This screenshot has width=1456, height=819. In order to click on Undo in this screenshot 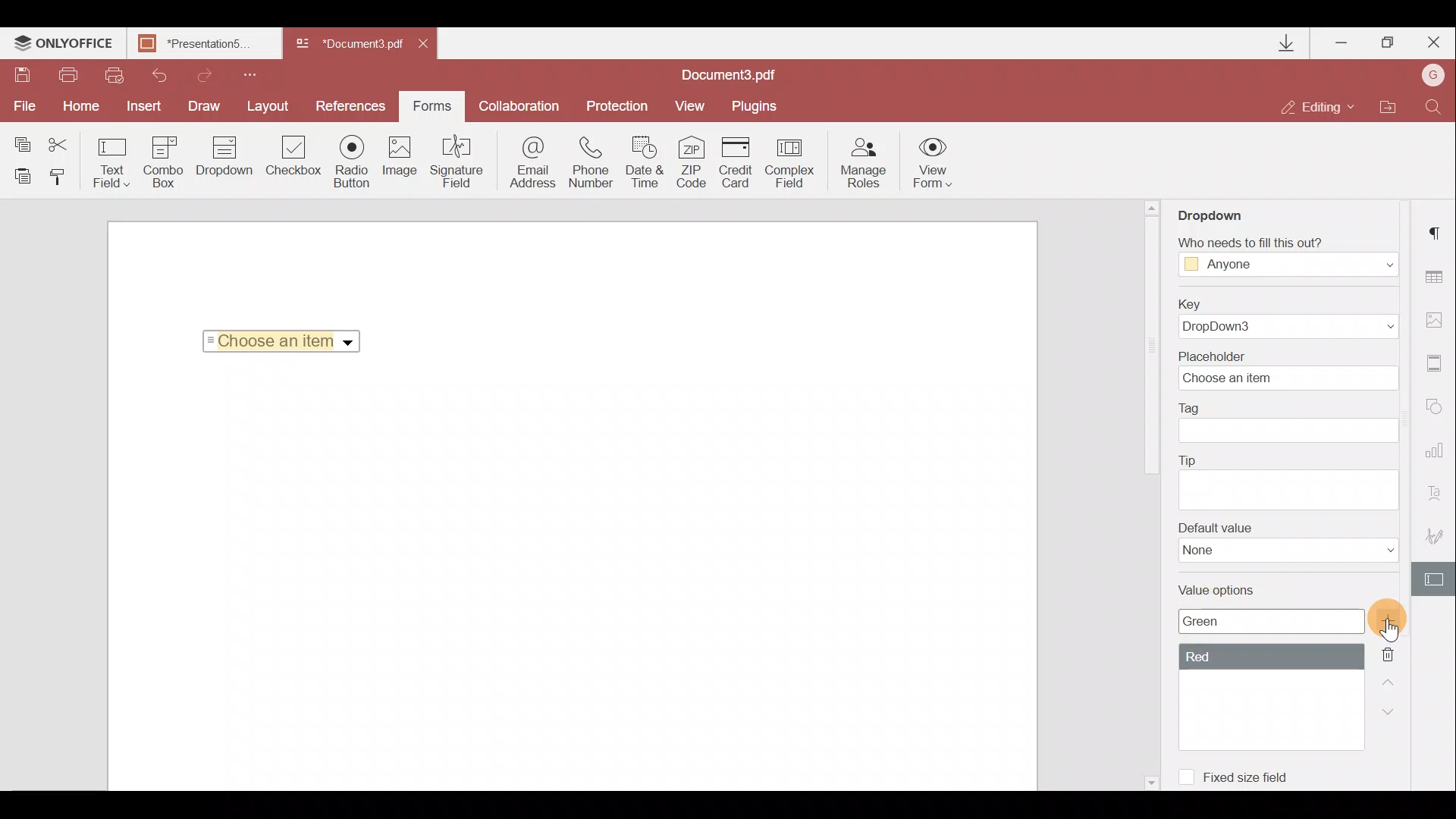, I will do `click(158, 76)`.